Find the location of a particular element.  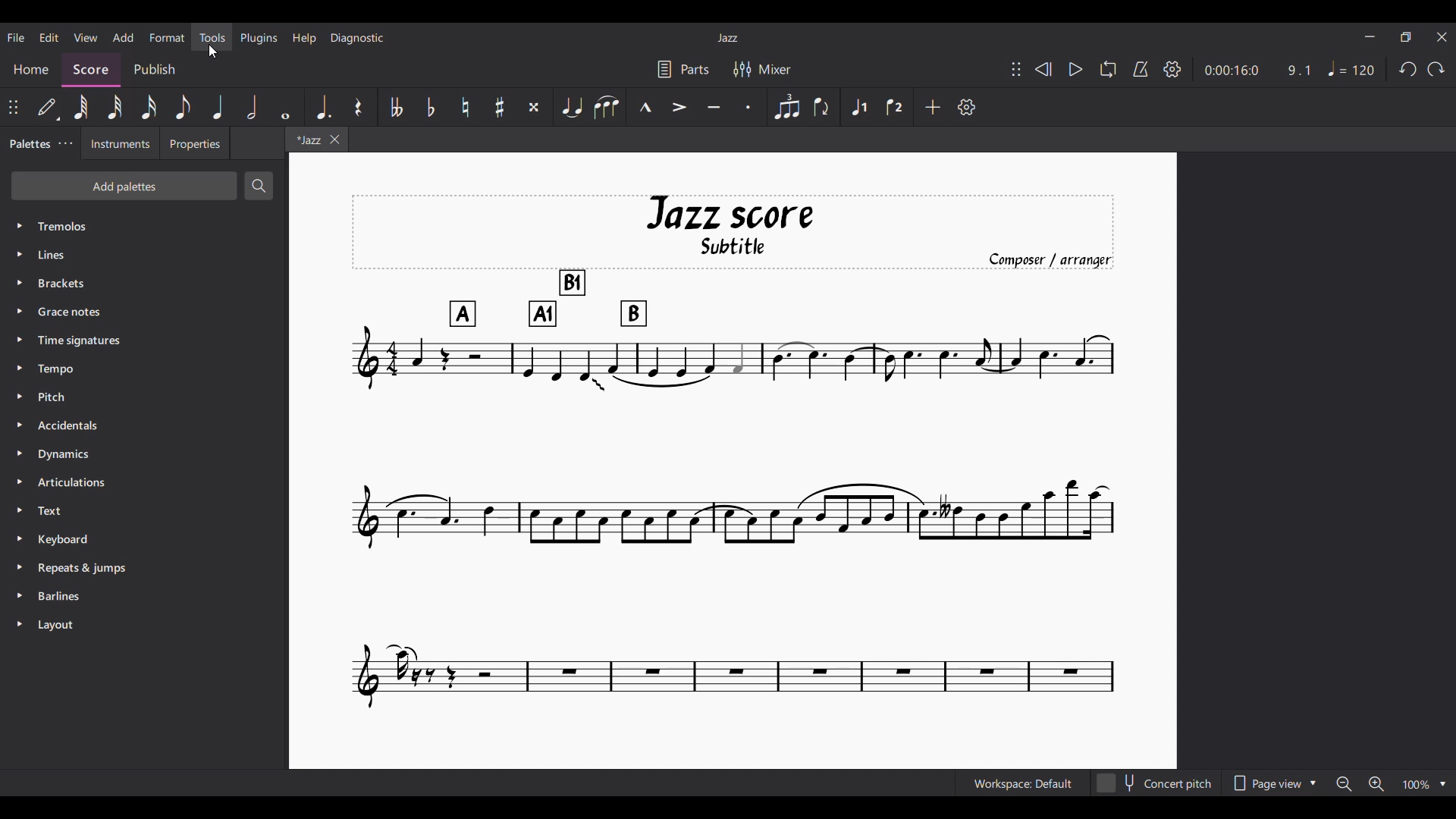

Rewind is located at coordinates (1044, 69).